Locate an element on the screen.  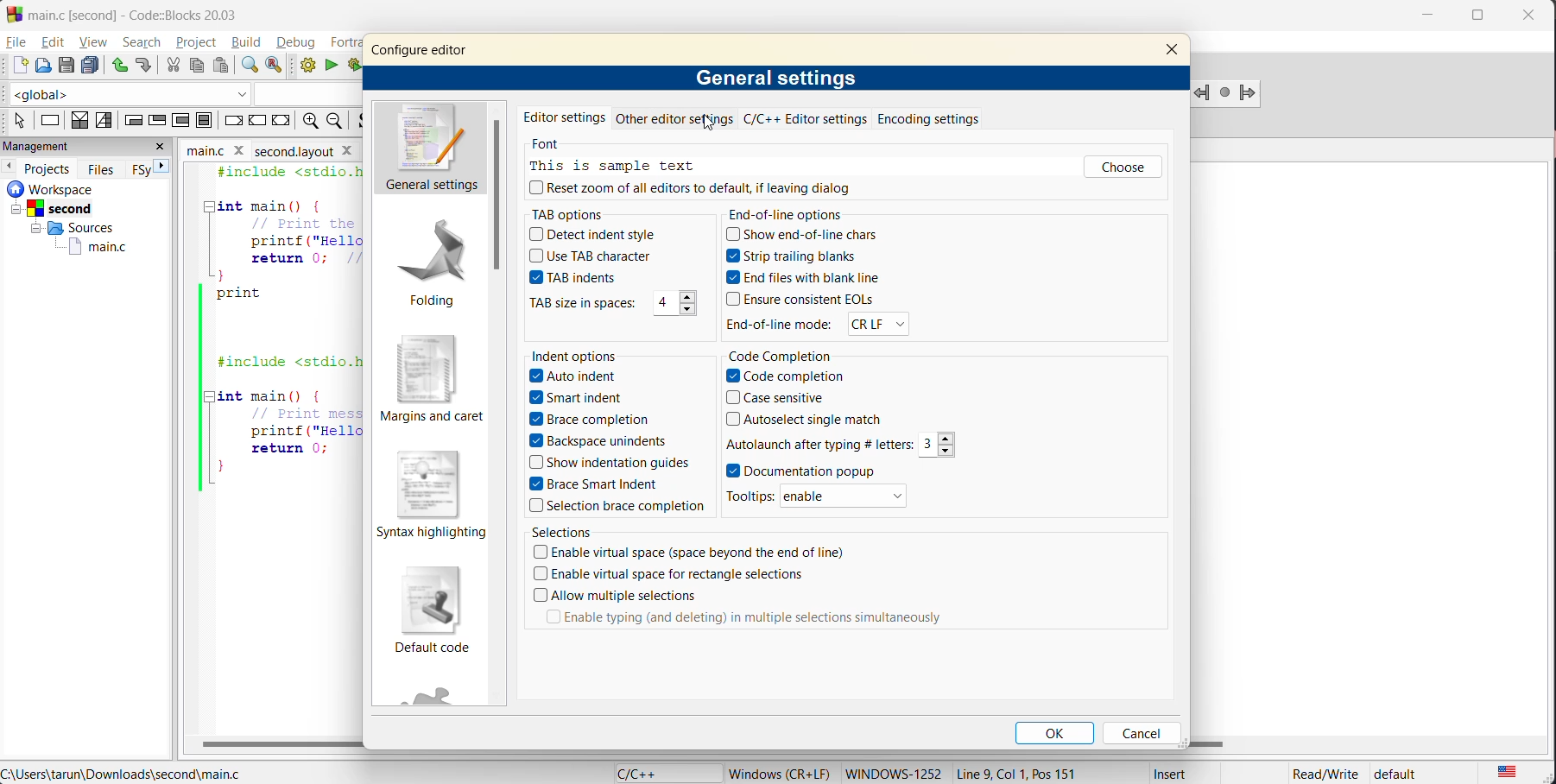
break instruction is located at coordinates (231, 121).